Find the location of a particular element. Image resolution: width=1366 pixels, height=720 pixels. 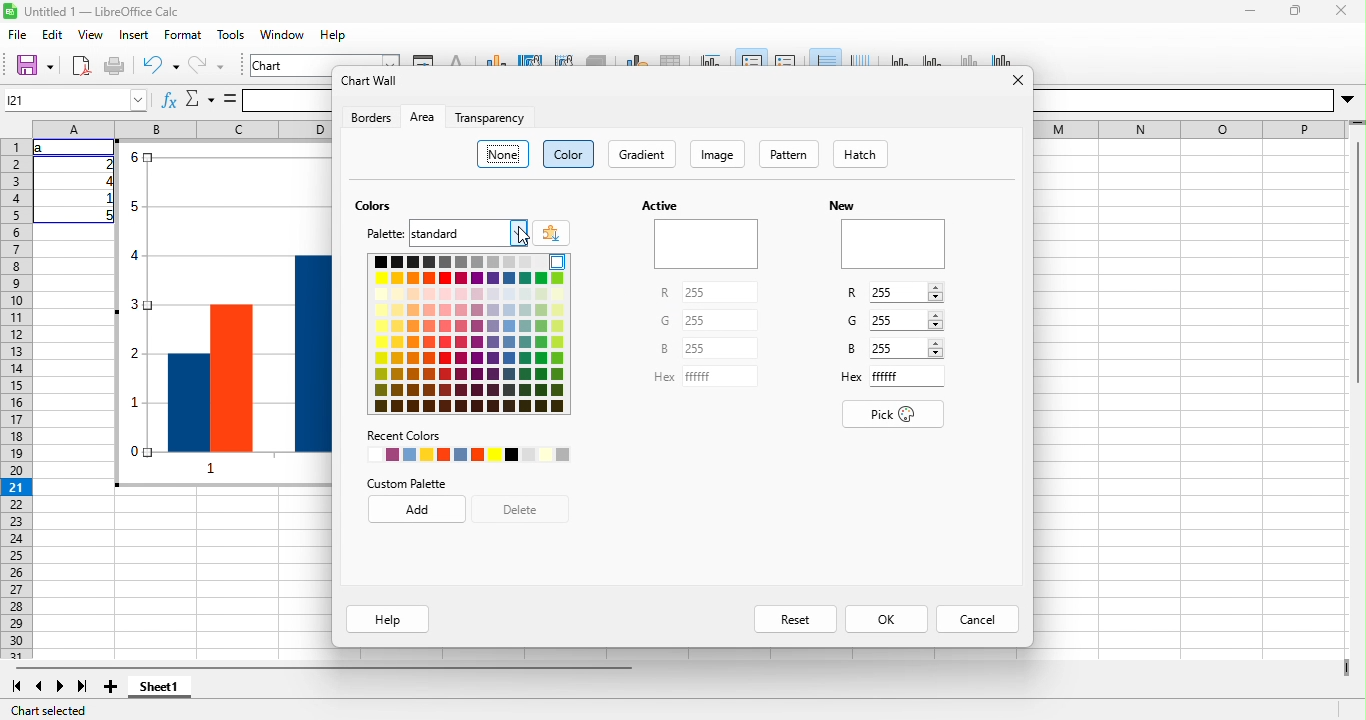

add color is located at coordinates (551, 233).